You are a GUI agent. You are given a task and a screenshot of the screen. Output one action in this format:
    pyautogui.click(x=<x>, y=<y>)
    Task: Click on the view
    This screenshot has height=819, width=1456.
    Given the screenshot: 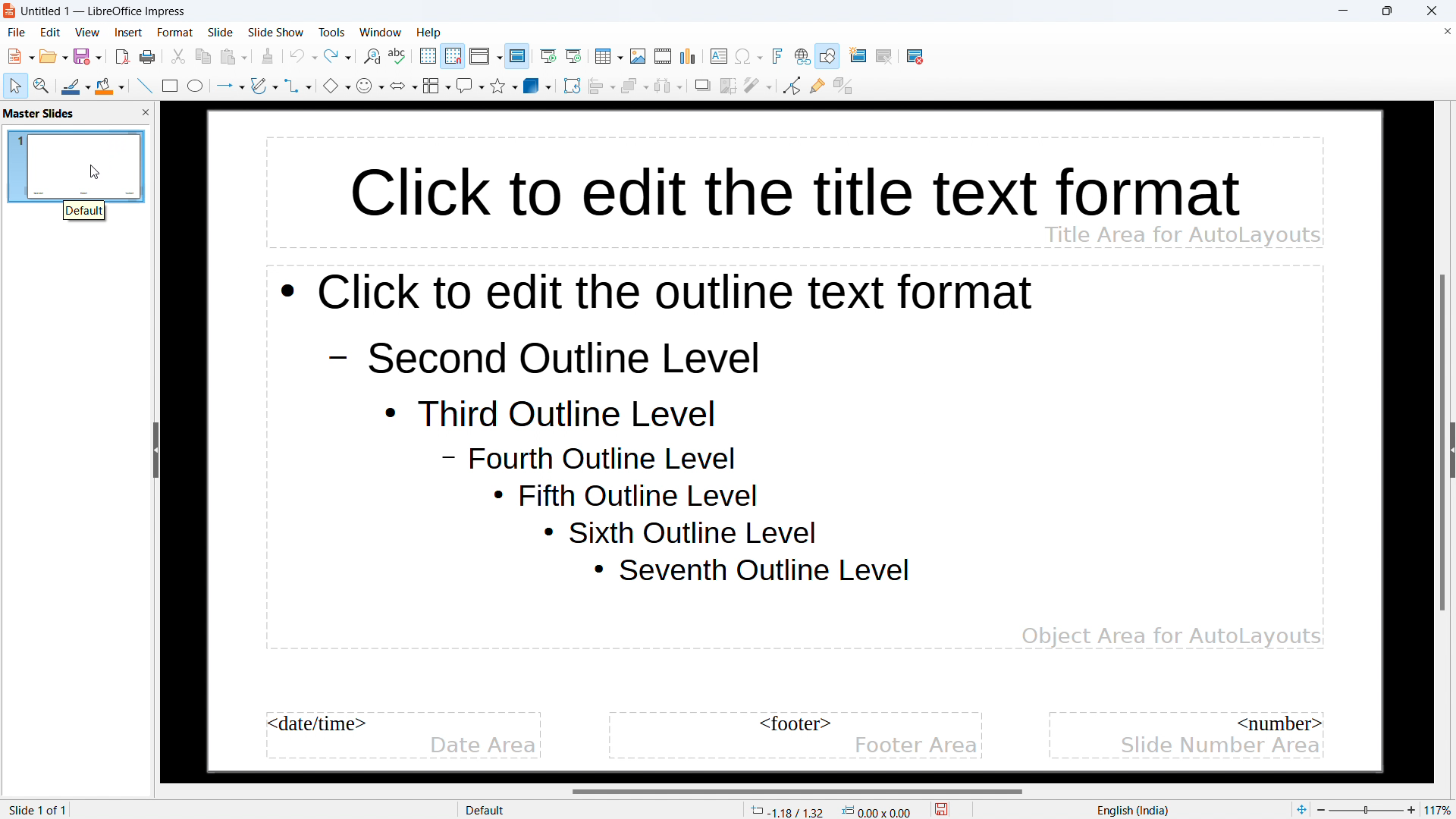 What is the action you would take?
    pyautogui.click(x=87, y=33)
    